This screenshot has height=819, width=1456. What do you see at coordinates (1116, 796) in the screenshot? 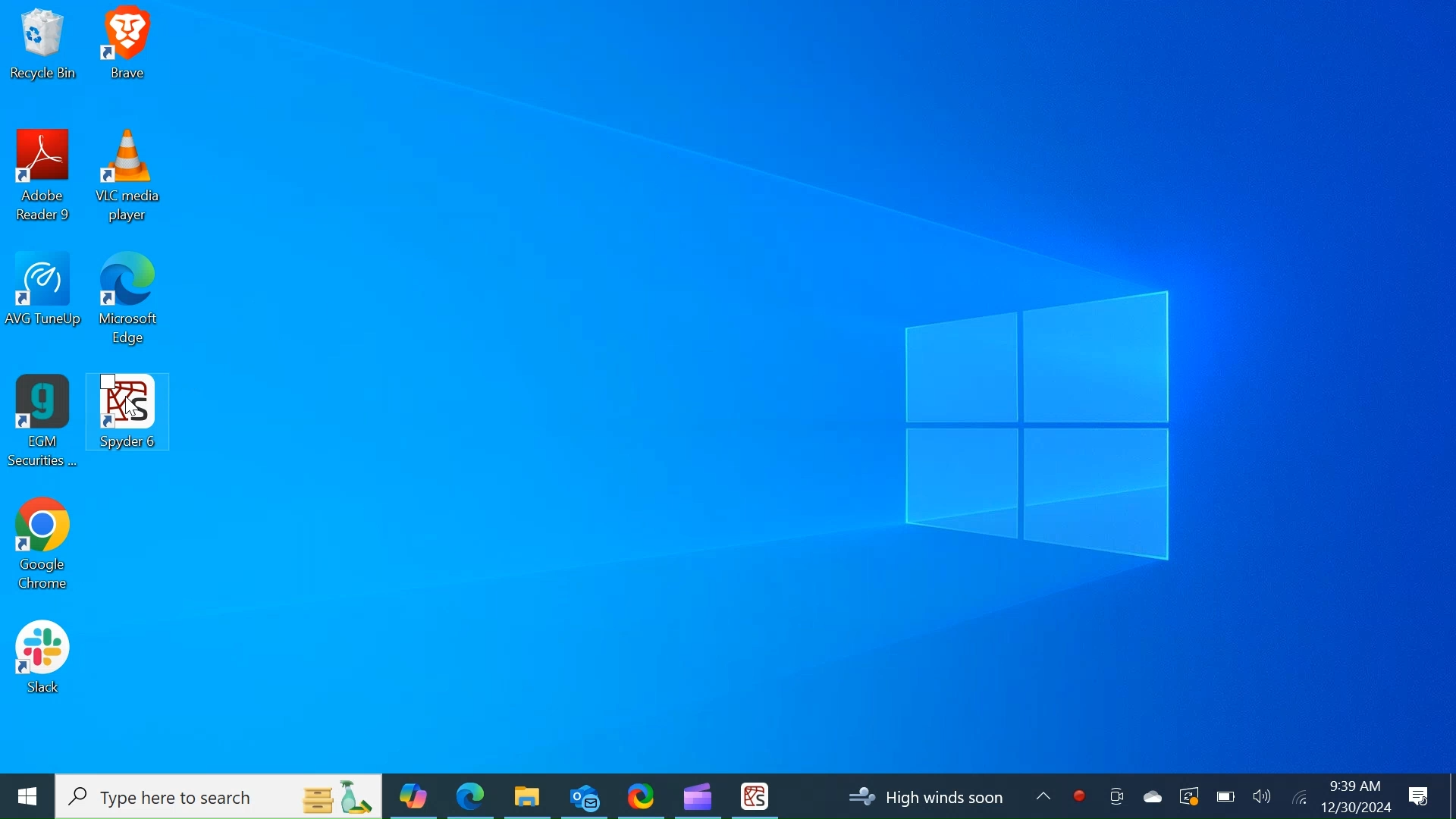
I see `Meet now` at bounding box center [1116, 796].